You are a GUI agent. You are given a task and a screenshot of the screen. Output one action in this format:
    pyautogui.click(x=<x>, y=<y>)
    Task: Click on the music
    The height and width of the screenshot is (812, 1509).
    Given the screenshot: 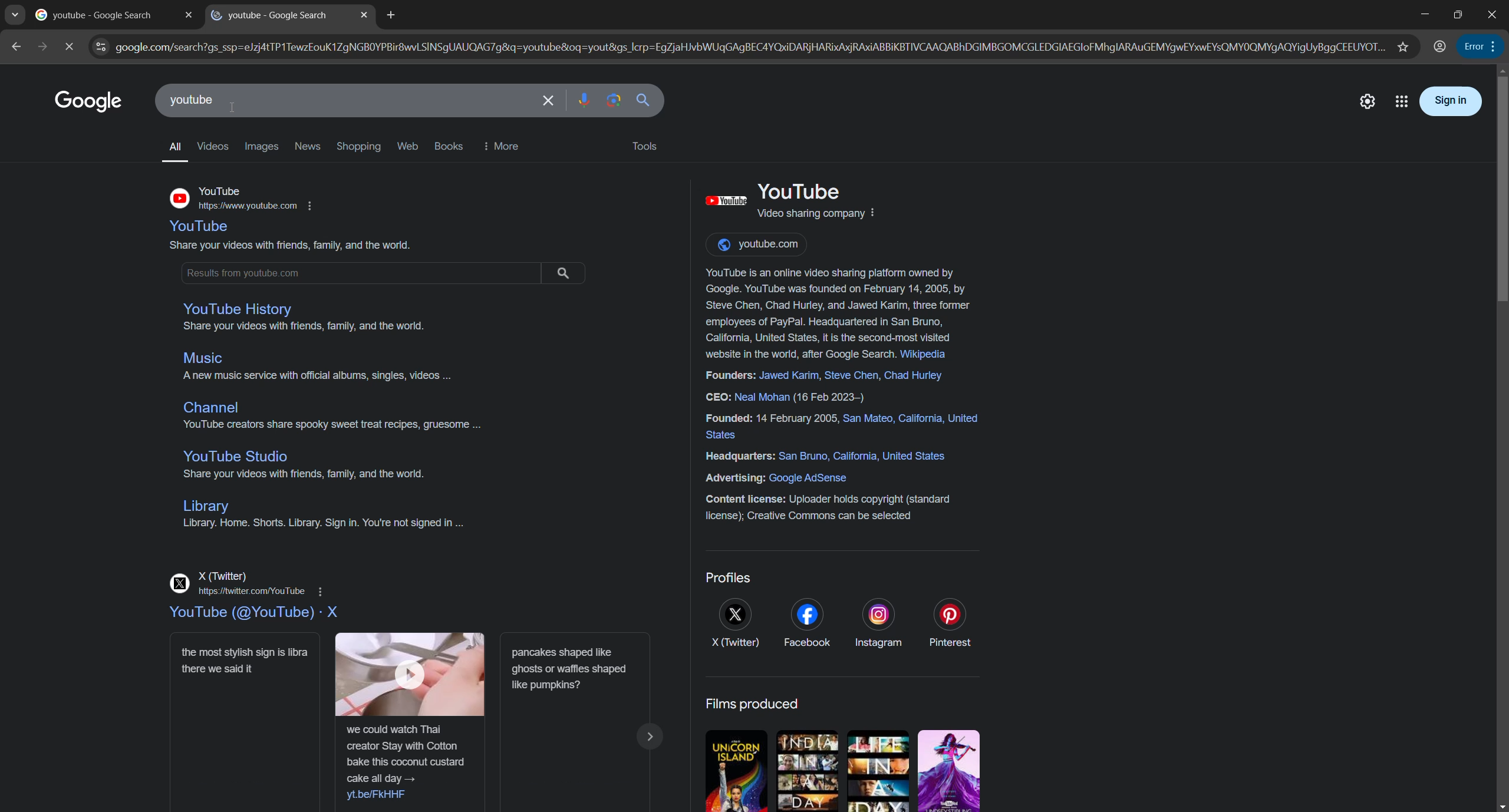 What is the action you would take?
    pyautogui.click(x=206, y=359)
    